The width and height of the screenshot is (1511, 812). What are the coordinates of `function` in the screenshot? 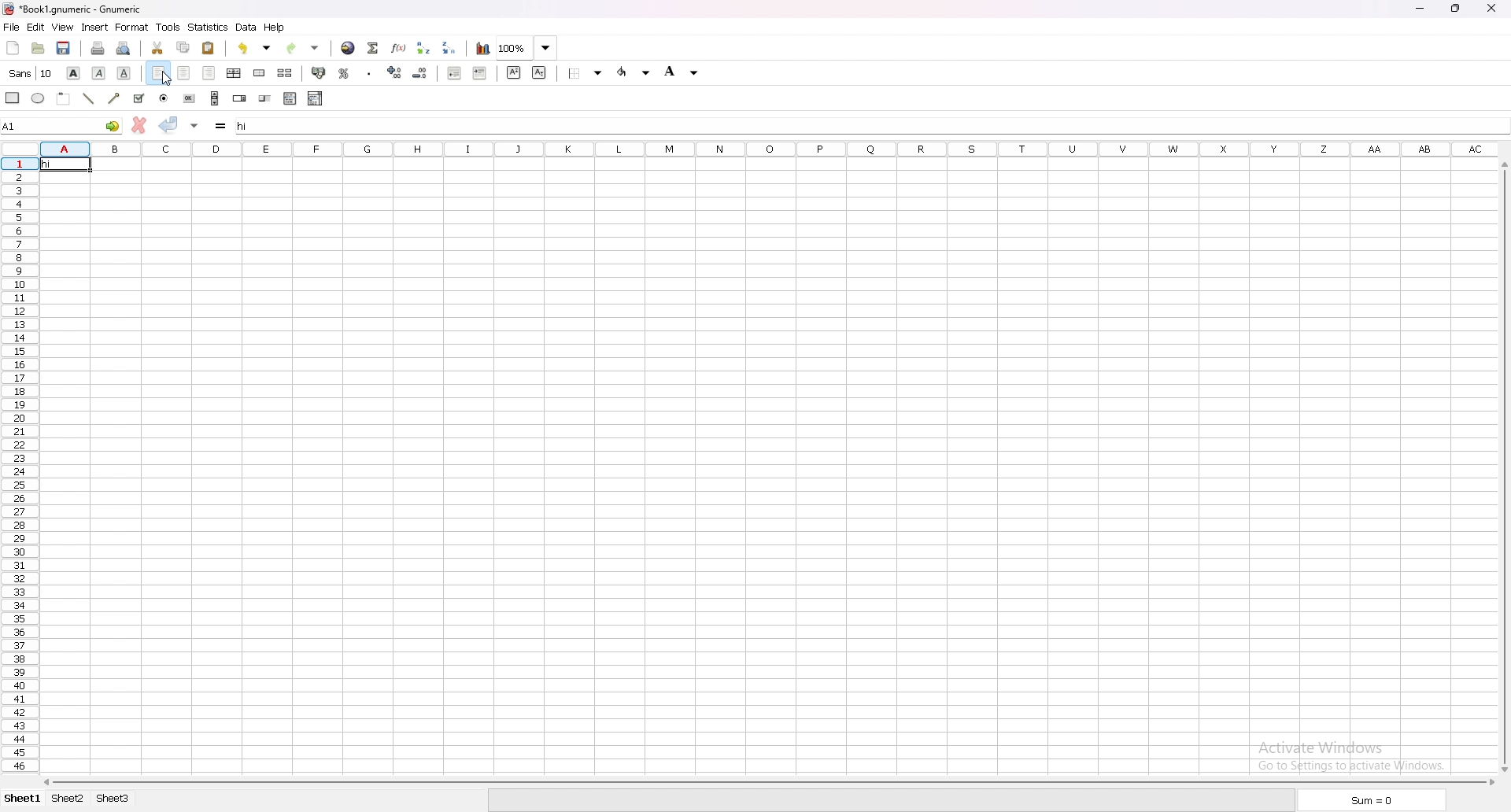 It's located at (397, 48).